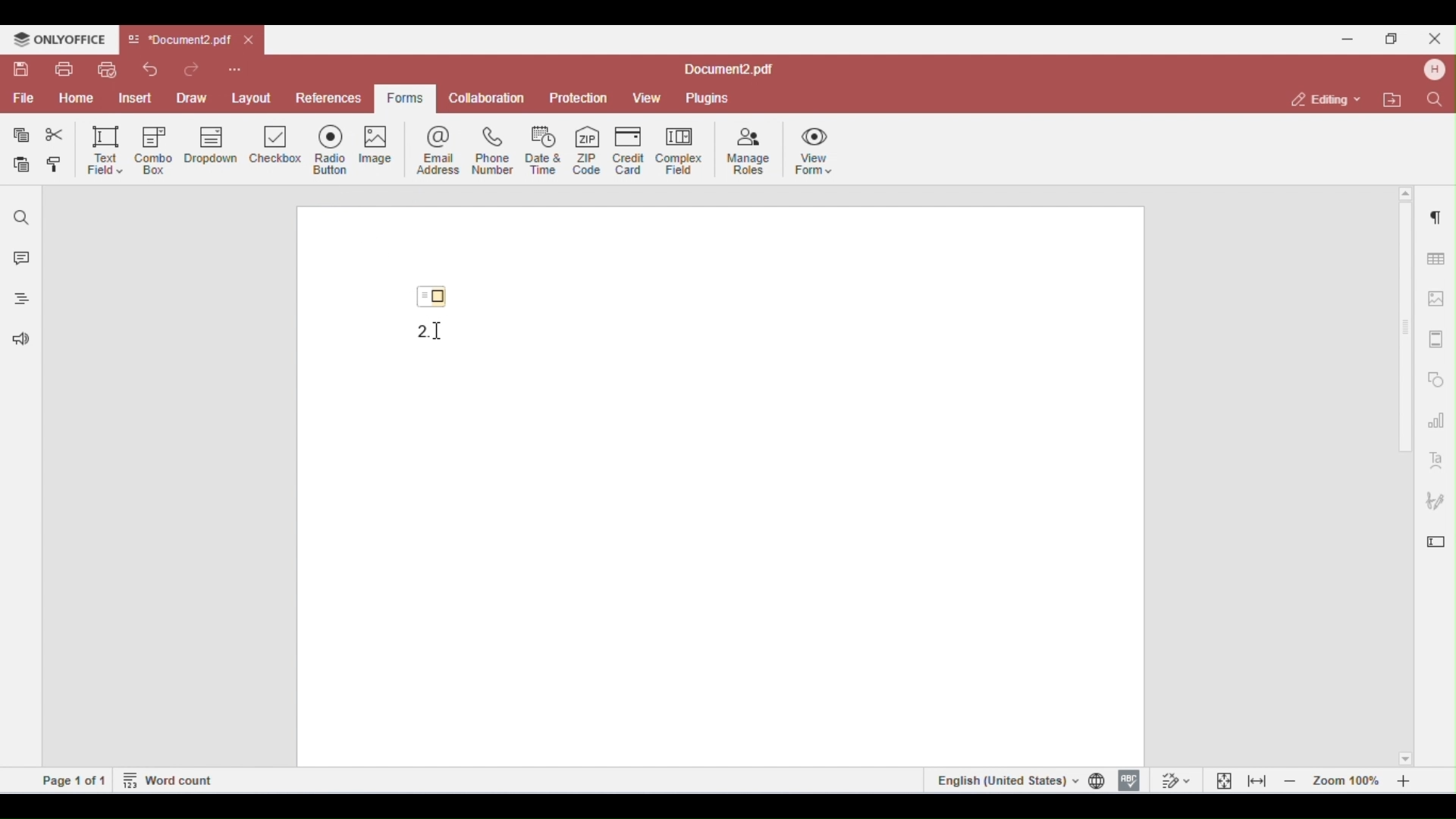 The height and width of the screenshot is (819, 1456). What do you see at coordinates (327, 98) in the screenshot?
I see `references` at bounding box center [327, 98].